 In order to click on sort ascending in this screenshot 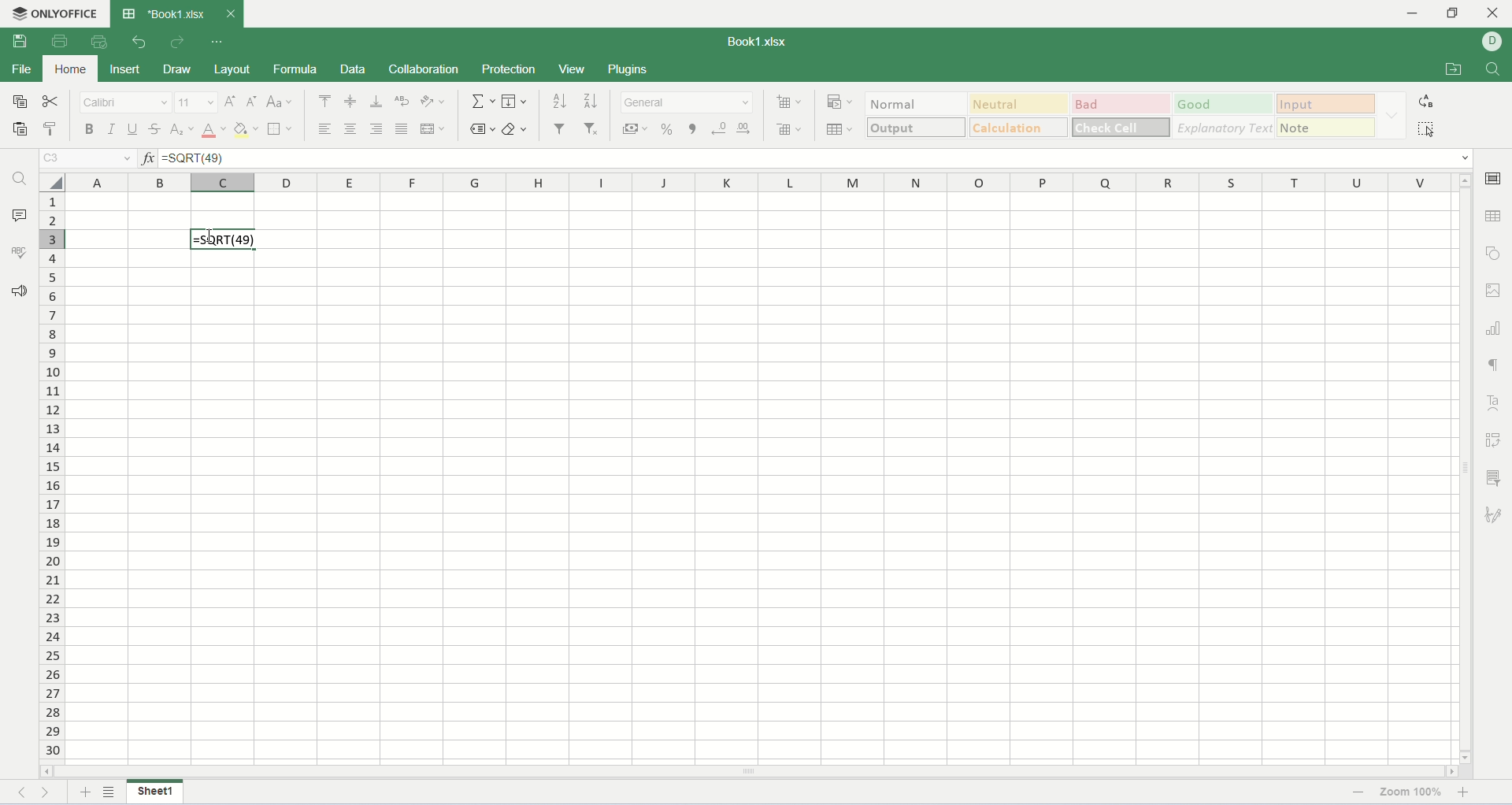, I will do `click(561, 101)`.